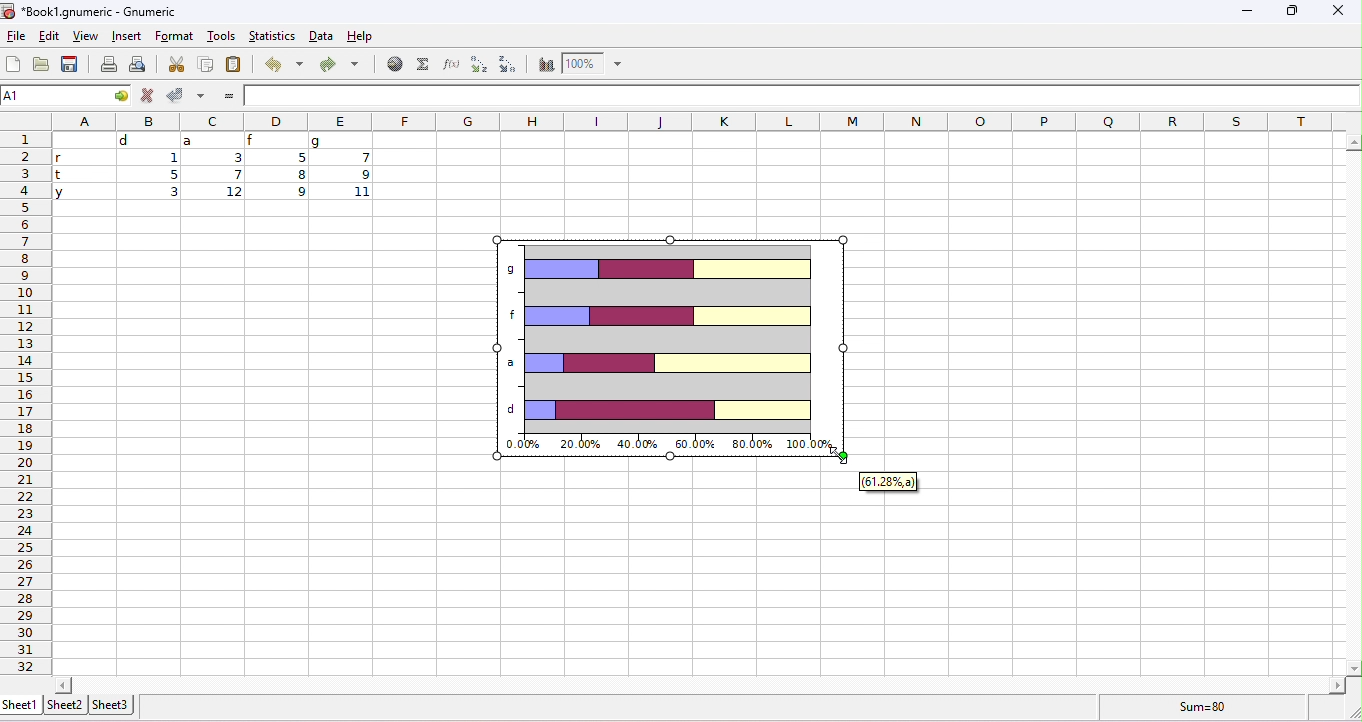  I want to click on row numbers, so click(24, 405).